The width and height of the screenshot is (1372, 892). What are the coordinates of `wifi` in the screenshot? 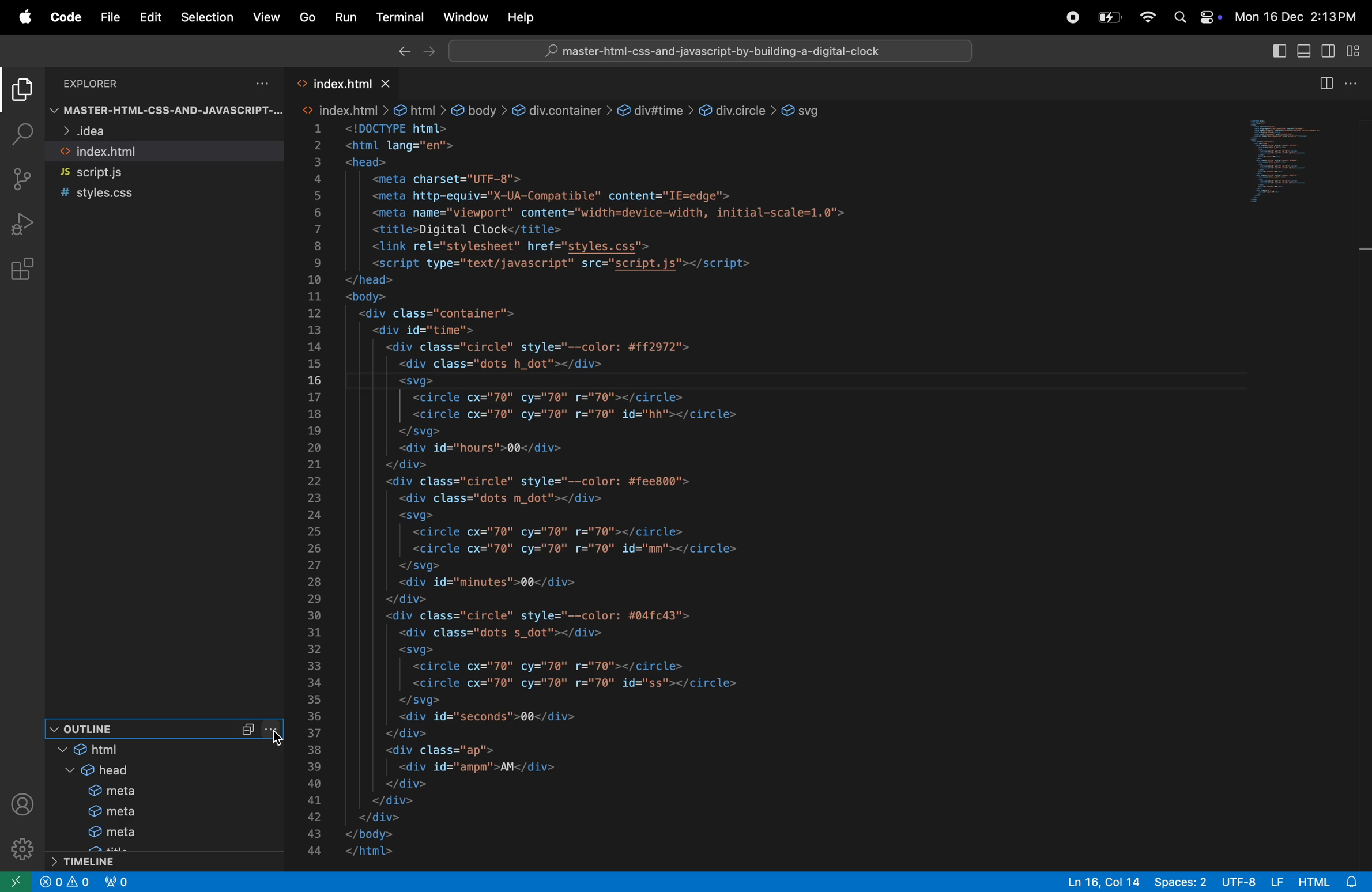 It's located at (1143, 17).